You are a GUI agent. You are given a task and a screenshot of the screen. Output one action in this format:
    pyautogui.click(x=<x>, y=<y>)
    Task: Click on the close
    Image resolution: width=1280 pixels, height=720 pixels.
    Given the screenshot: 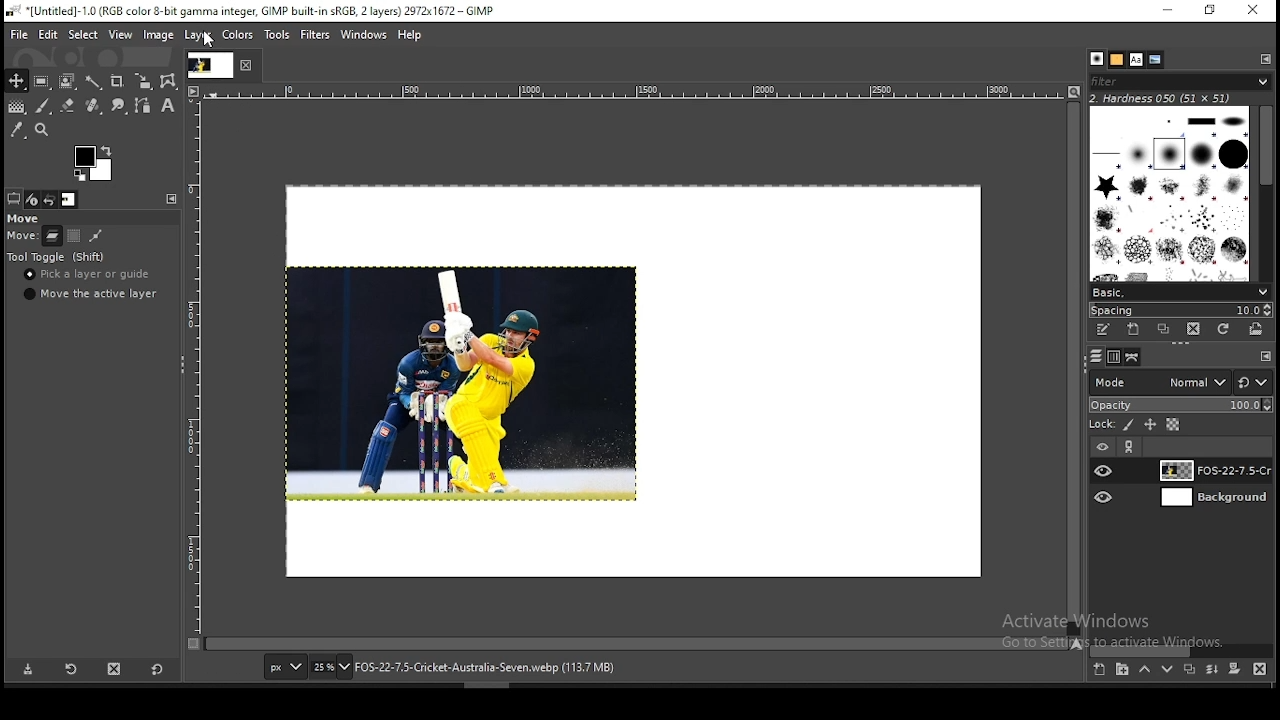 What is the action you would take?
    pyautogui.click(x=1253, y=10)
    